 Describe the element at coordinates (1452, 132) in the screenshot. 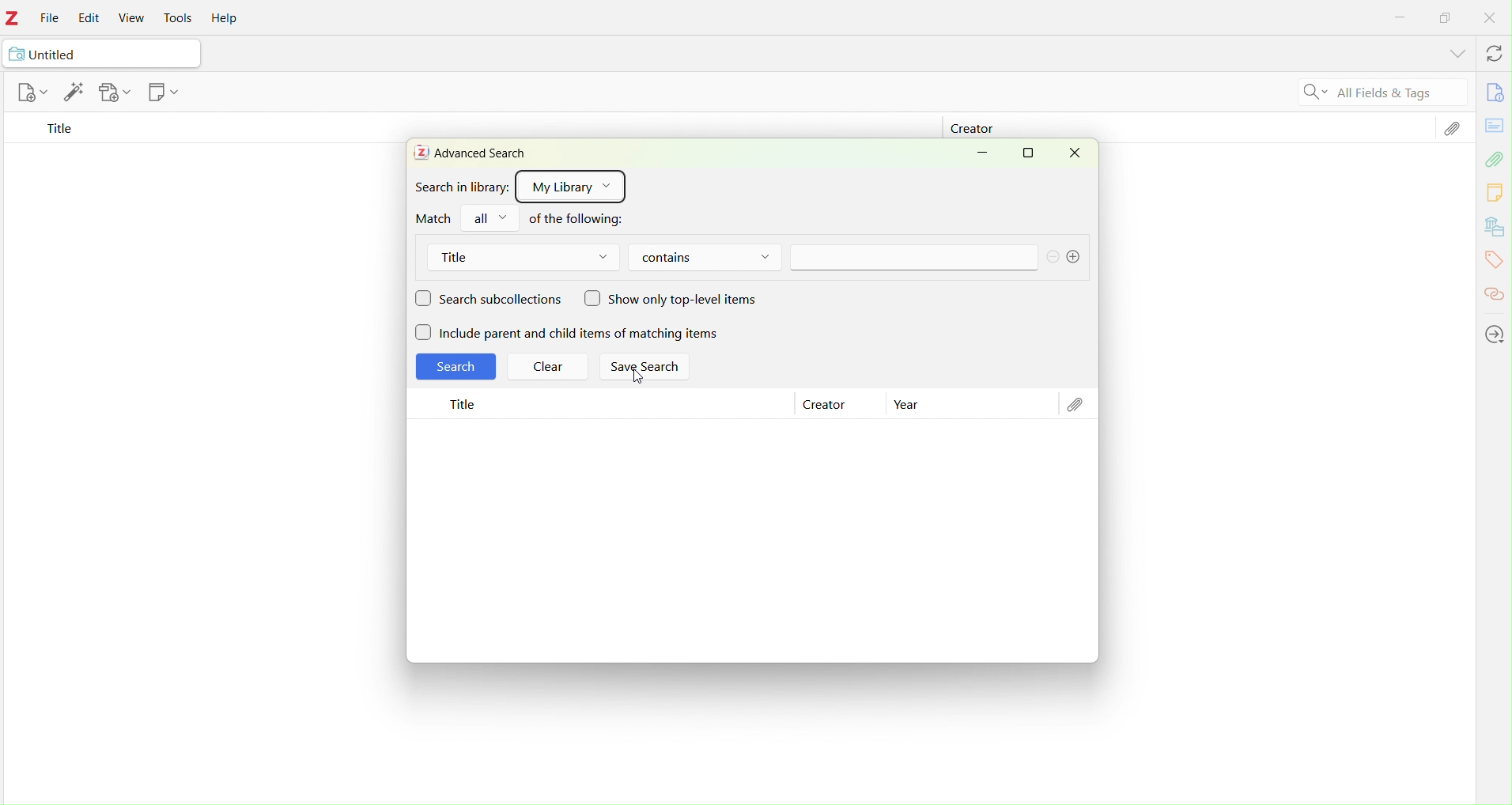

I see `Attachment` at that location.